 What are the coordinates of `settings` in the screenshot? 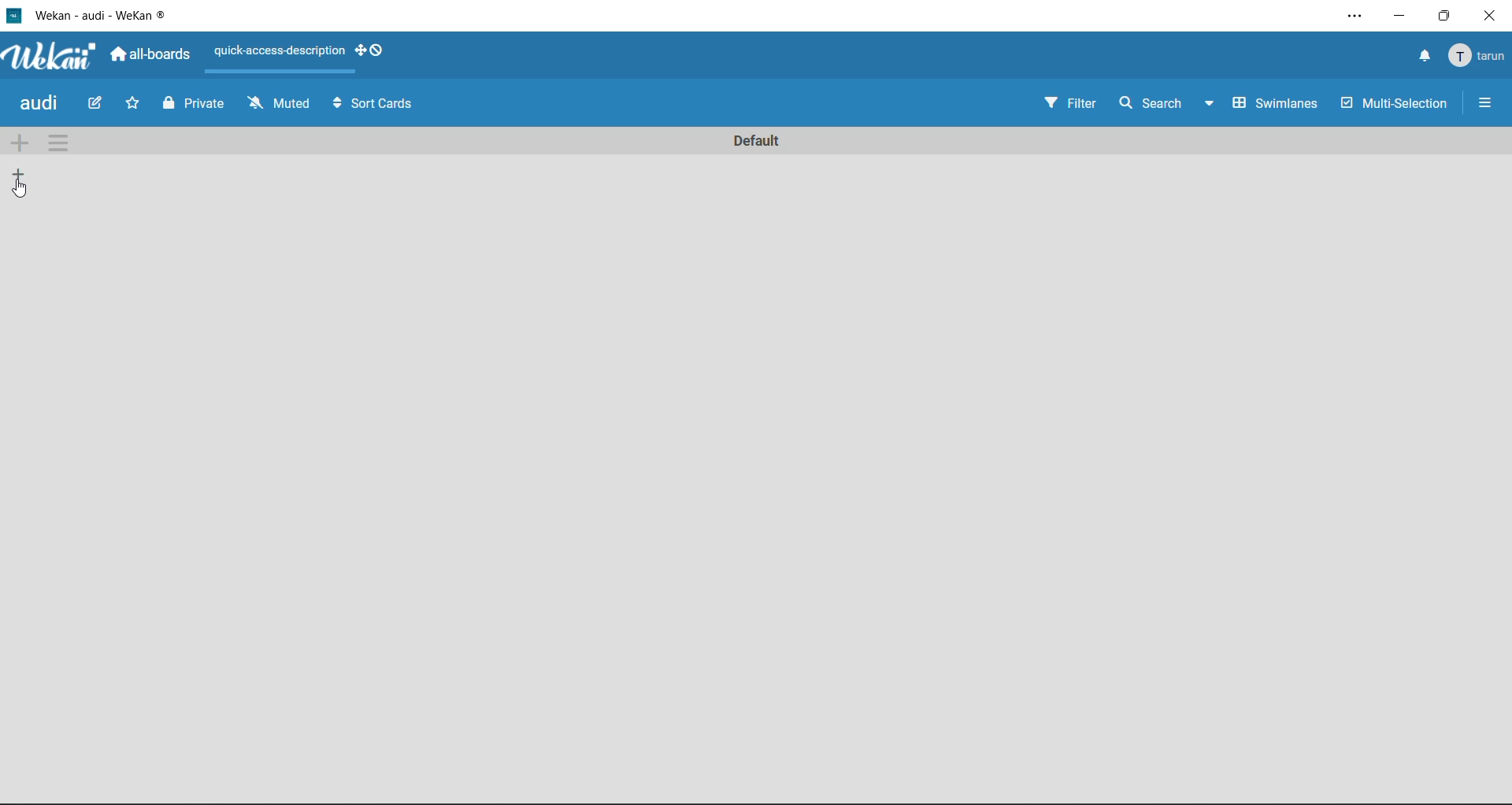 It's located at (1352, 16).